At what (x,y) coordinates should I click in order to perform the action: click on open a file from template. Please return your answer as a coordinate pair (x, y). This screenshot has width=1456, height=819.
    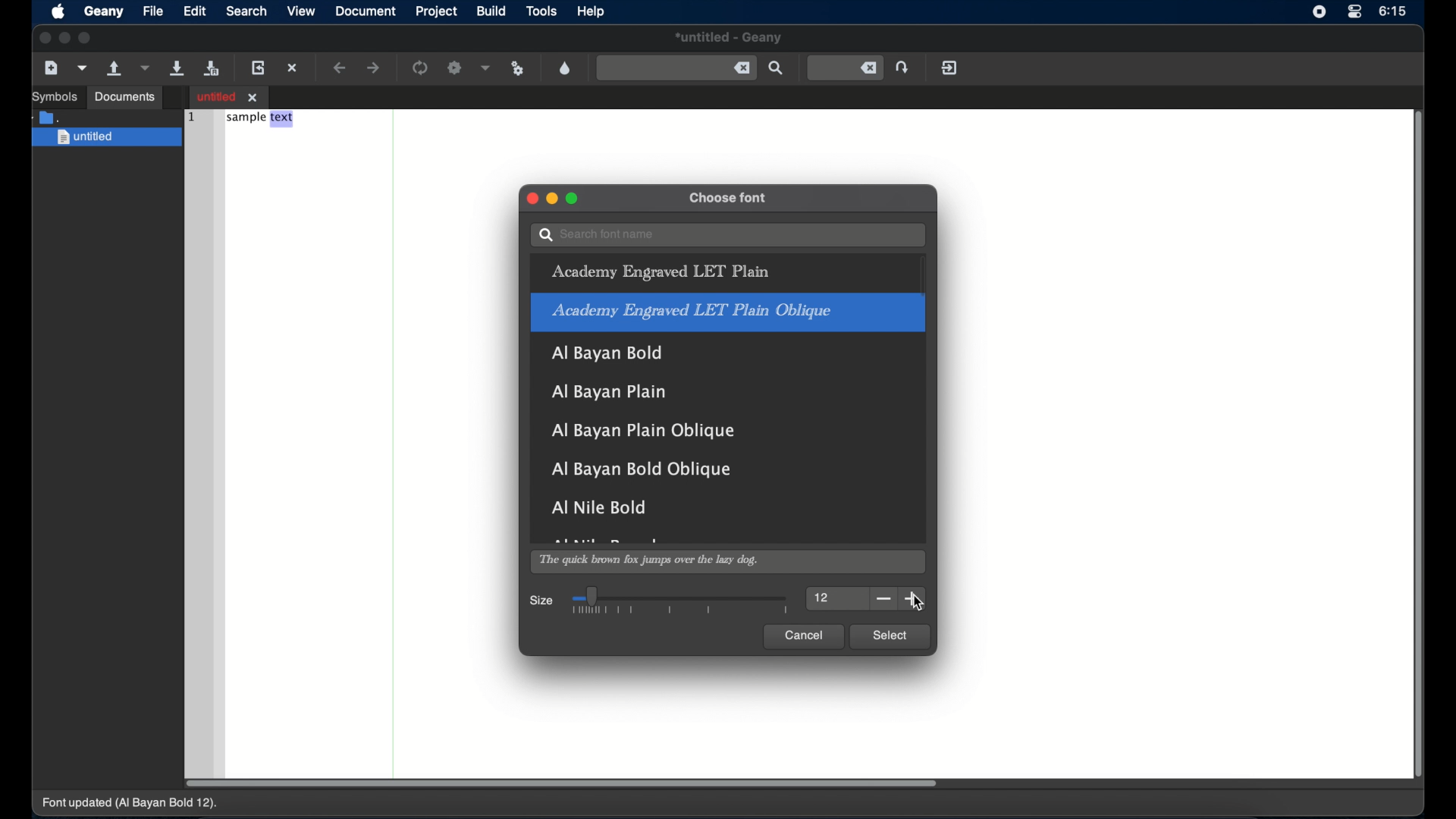
    Looking at the image, I should click on (84, 67).